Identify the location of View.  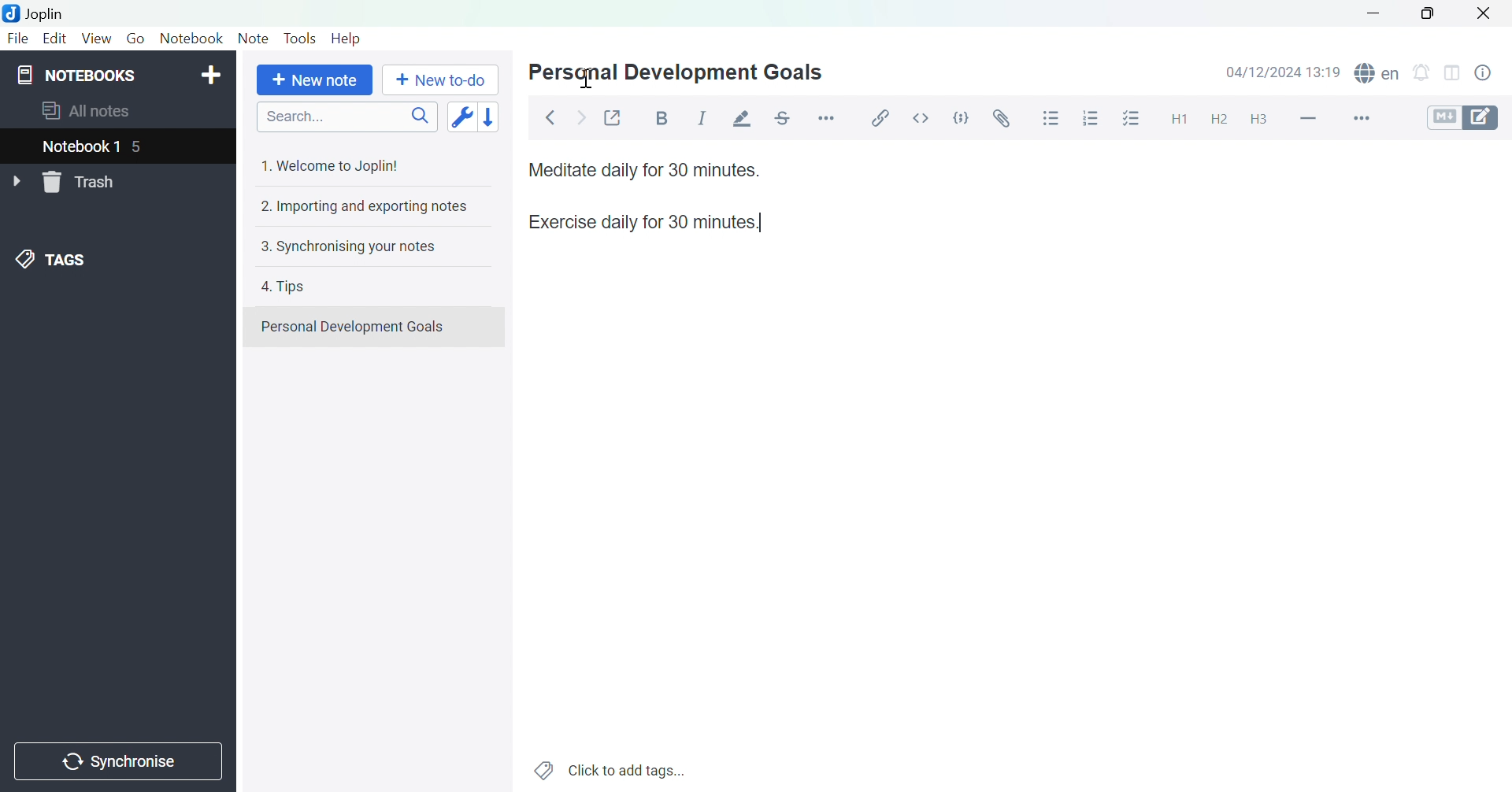
(95, 39).